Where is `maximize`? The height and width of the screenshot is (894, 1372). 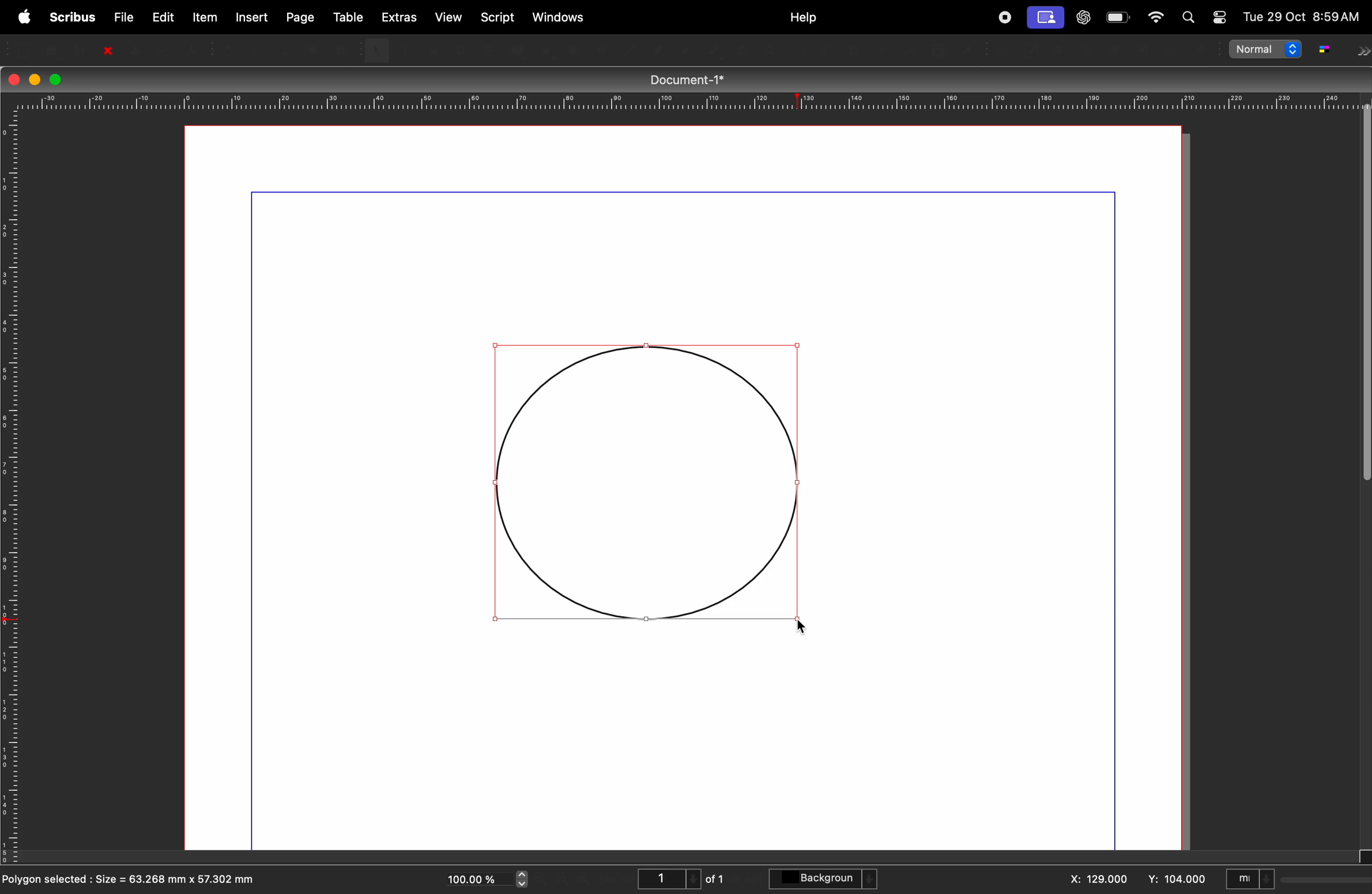 maximize is located at coordinates (57, 80).